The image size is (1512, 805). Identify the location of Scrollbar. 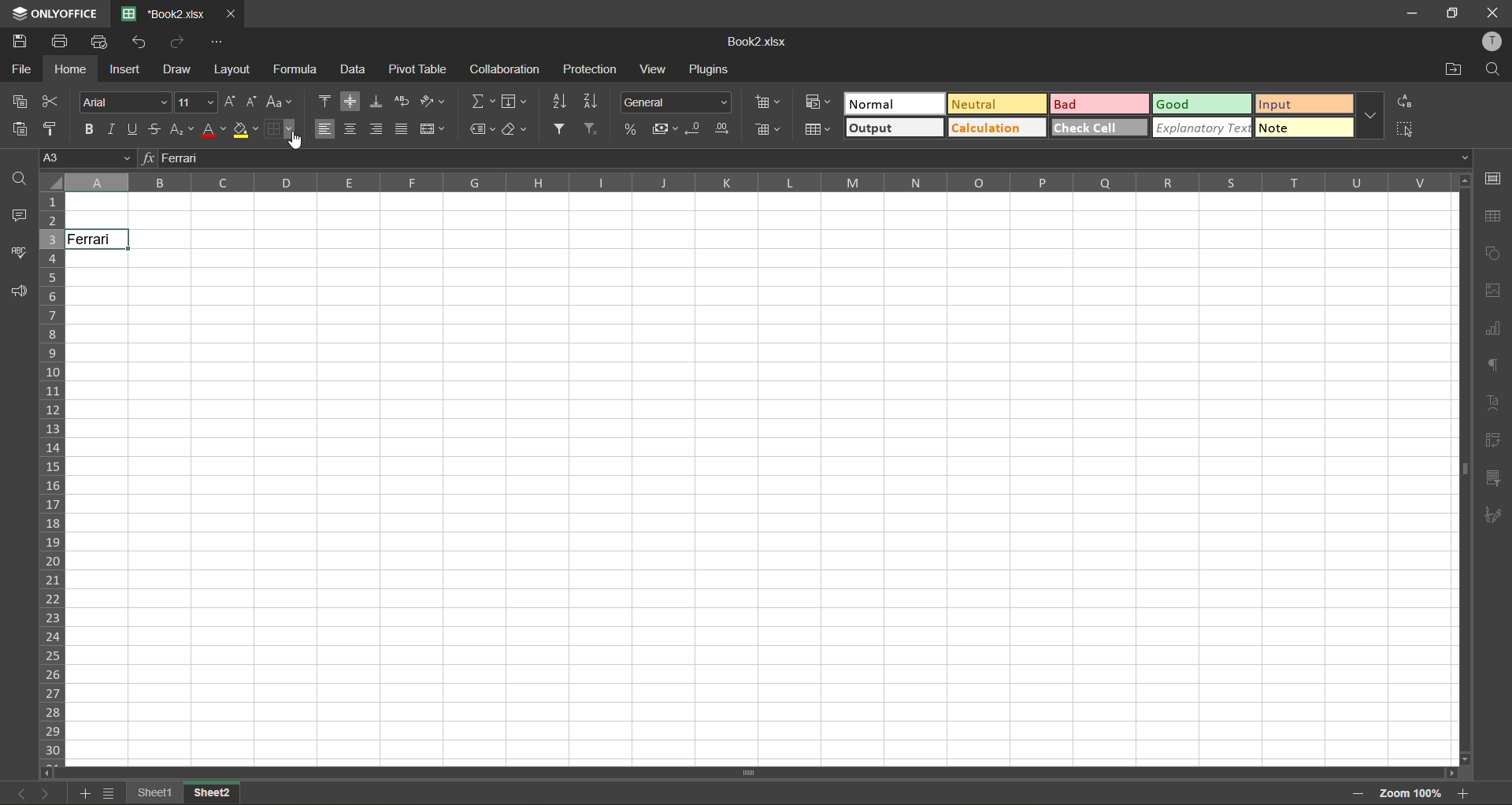
(1462, 469).